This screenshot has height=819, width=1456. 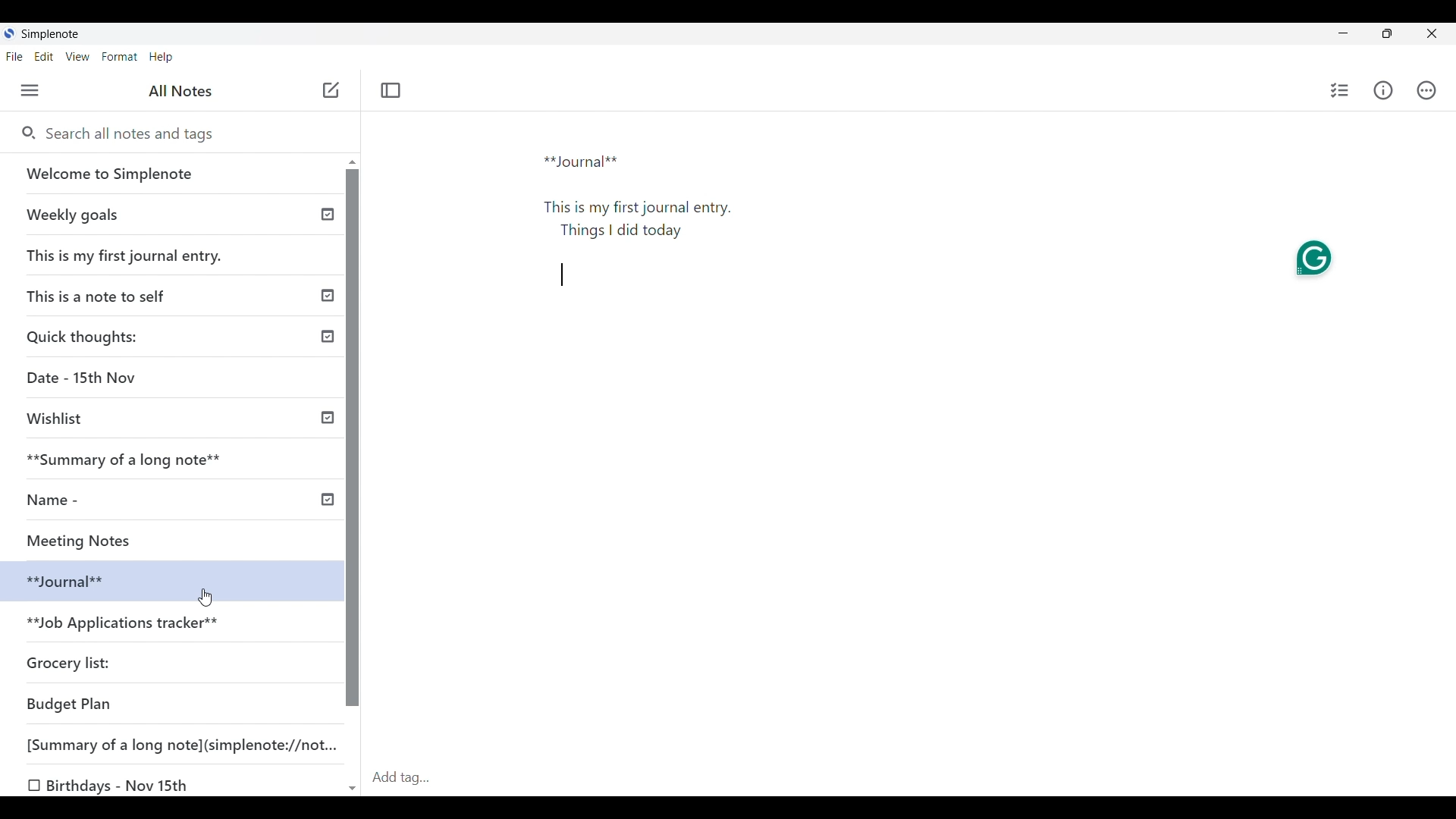 What do you see at coordinates (1382, 89) in the screenshot?
I see `Info` at bounding box center [1382, 89].